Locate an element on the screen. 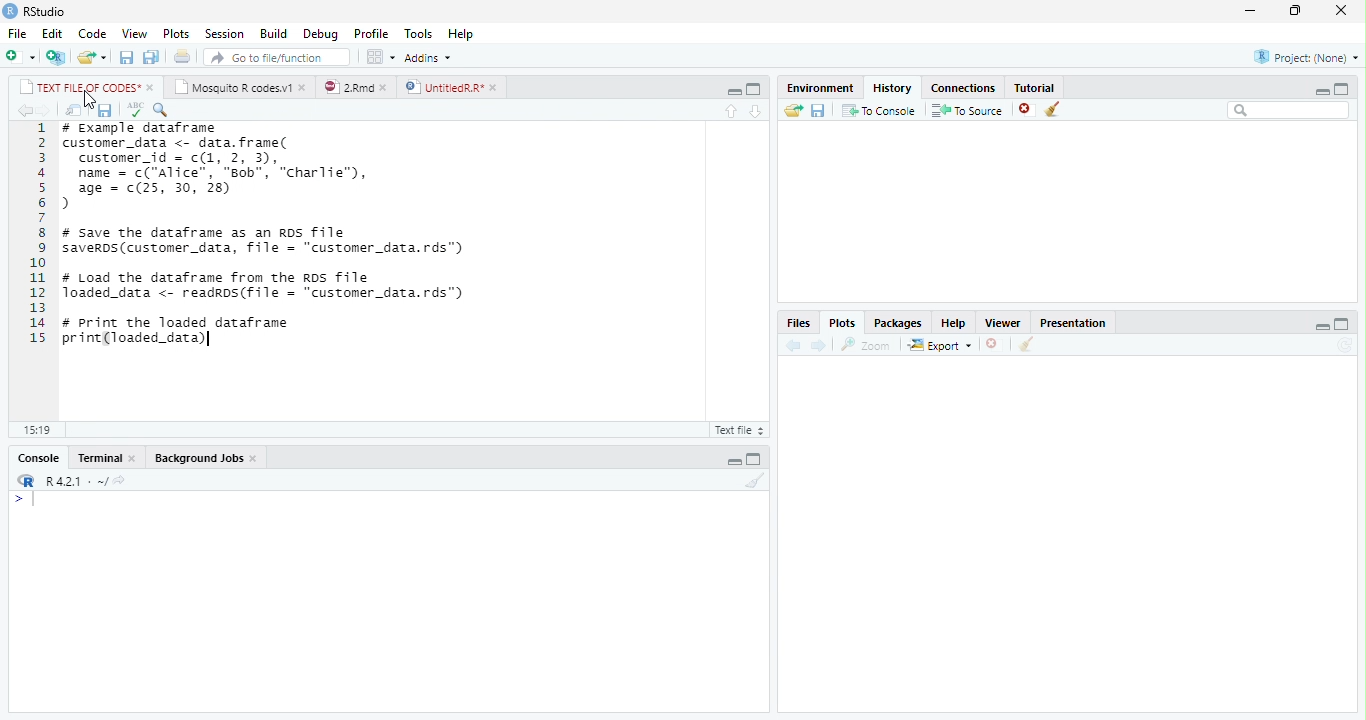 The height and width of the screenshot is (720, 1366). up is located at coordinates (732, 111).